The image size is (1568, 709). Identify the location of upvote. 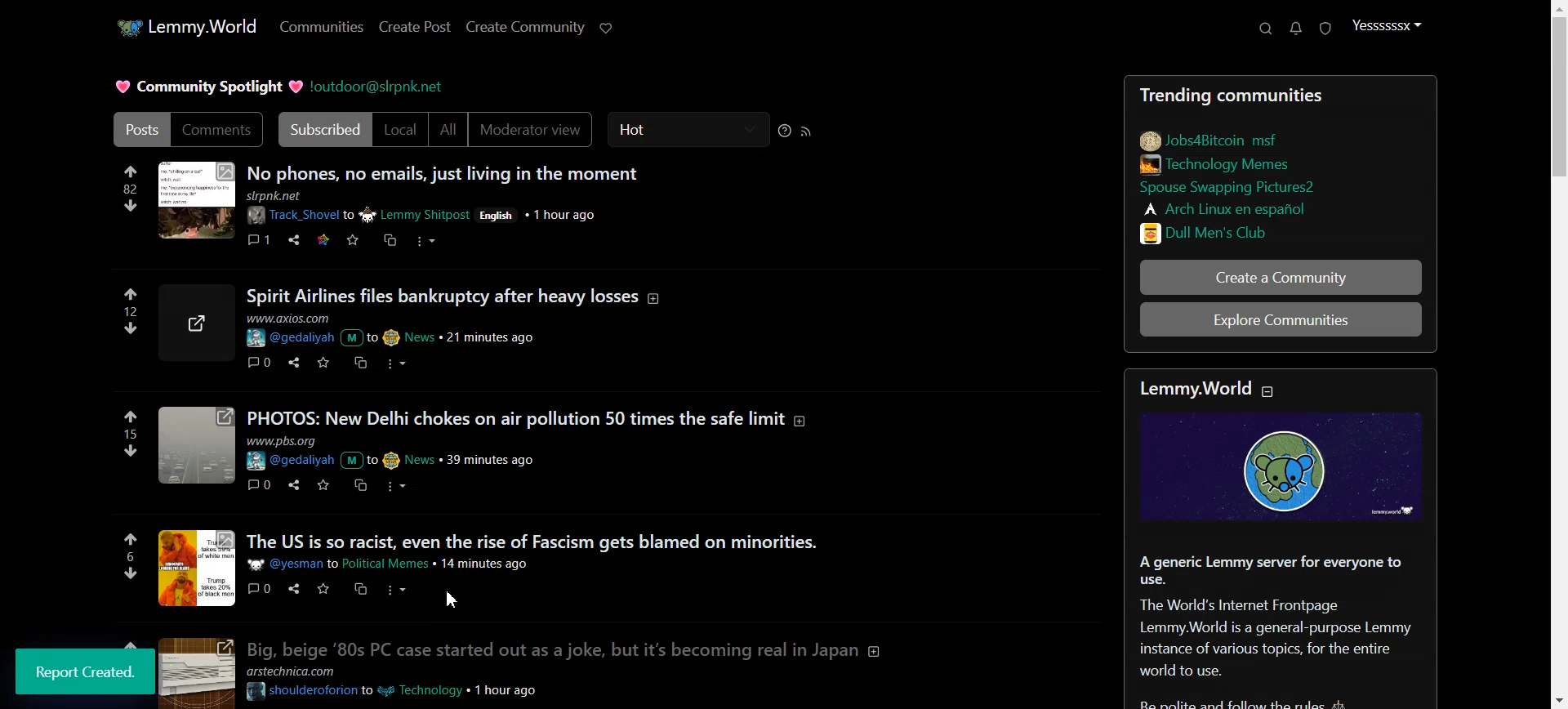
(130, 170).